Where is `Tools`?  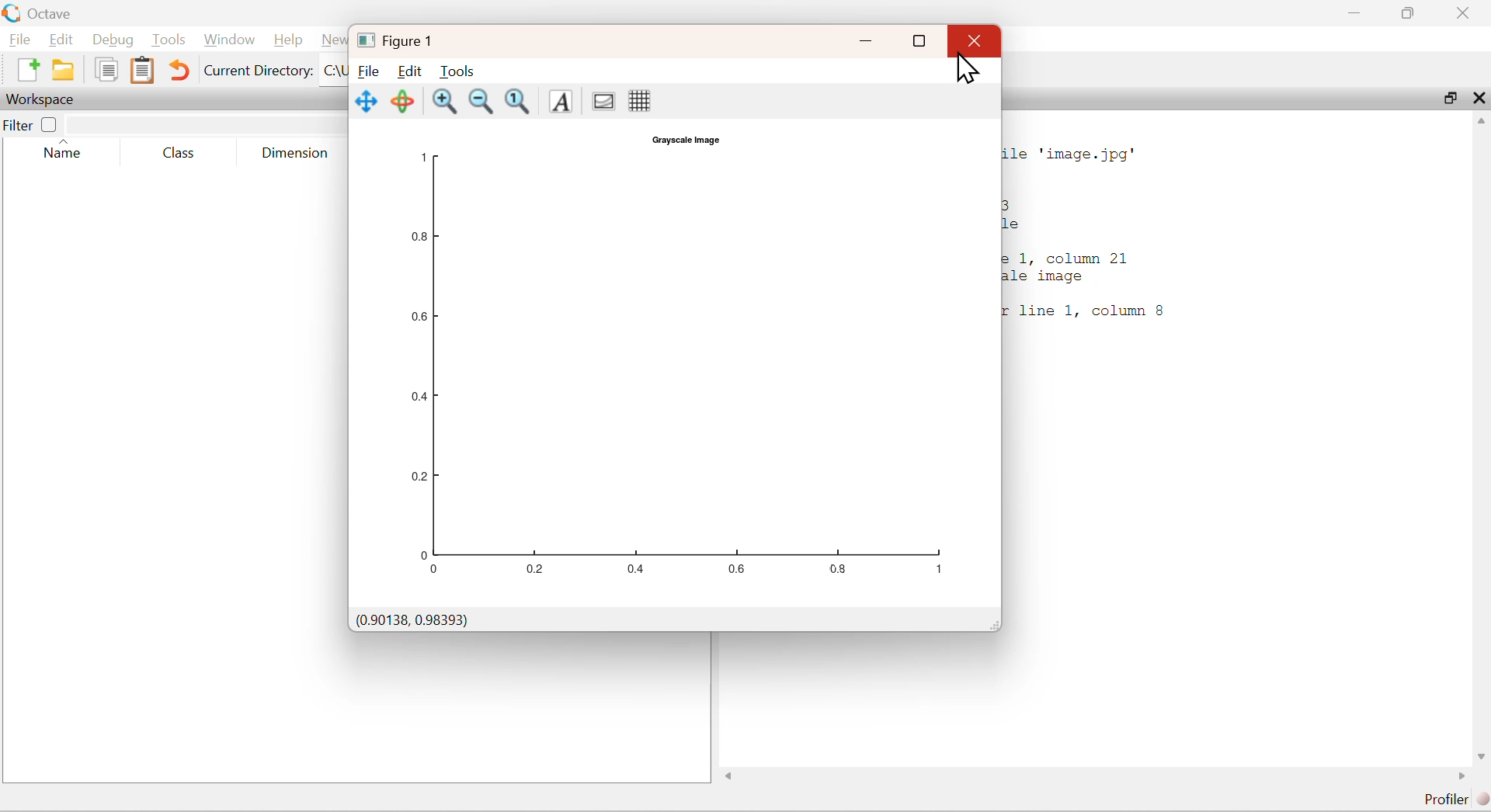
Tools is located at coordinates (457, 71).